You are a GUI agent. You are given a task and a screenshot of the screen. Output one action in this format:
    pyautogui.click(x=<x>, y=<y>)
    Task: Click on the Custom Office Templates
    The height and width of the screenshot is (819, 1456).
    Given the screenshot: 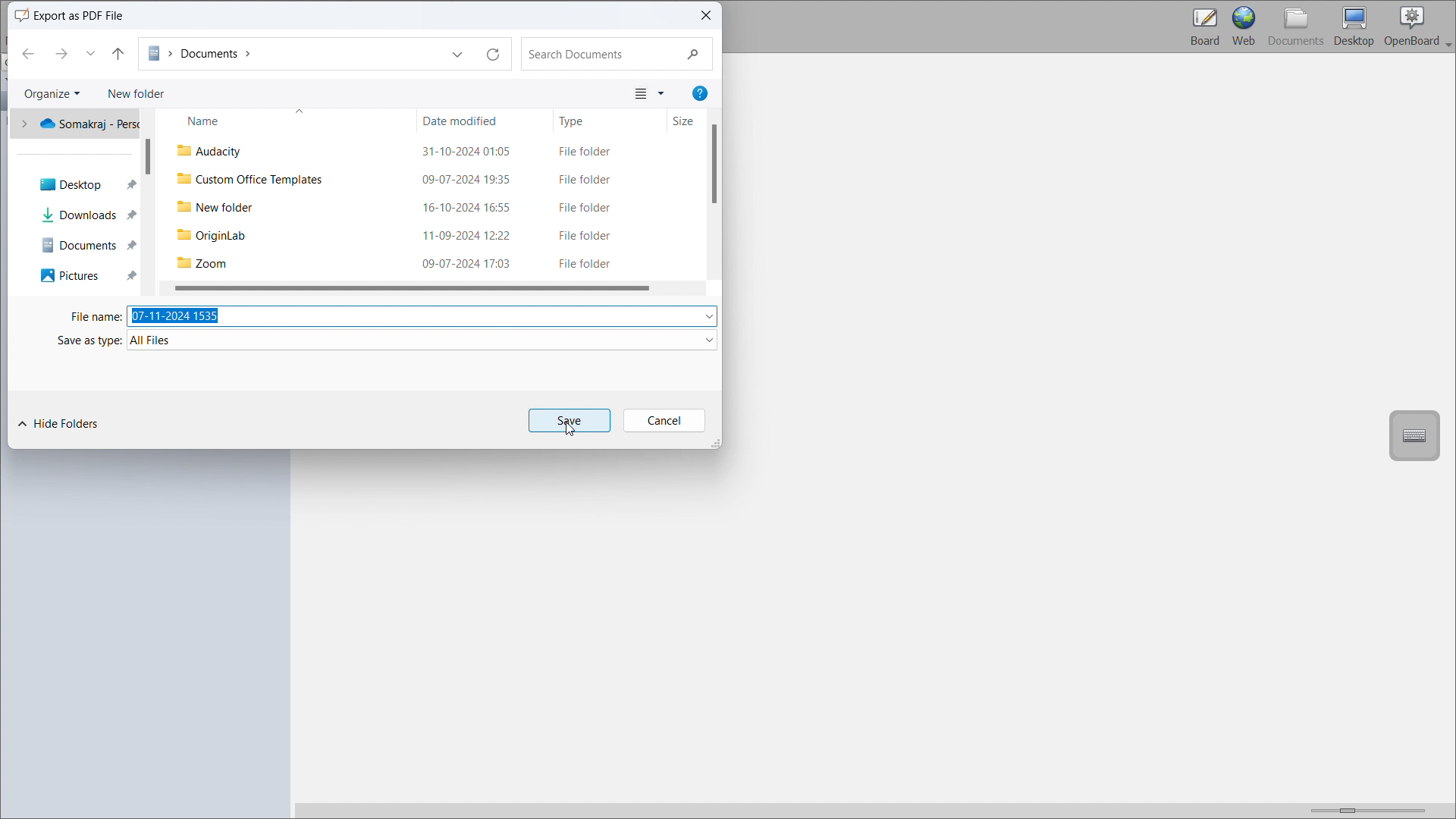 What is the action you would take?
    pyautogui.click(x=254, y=181)
    